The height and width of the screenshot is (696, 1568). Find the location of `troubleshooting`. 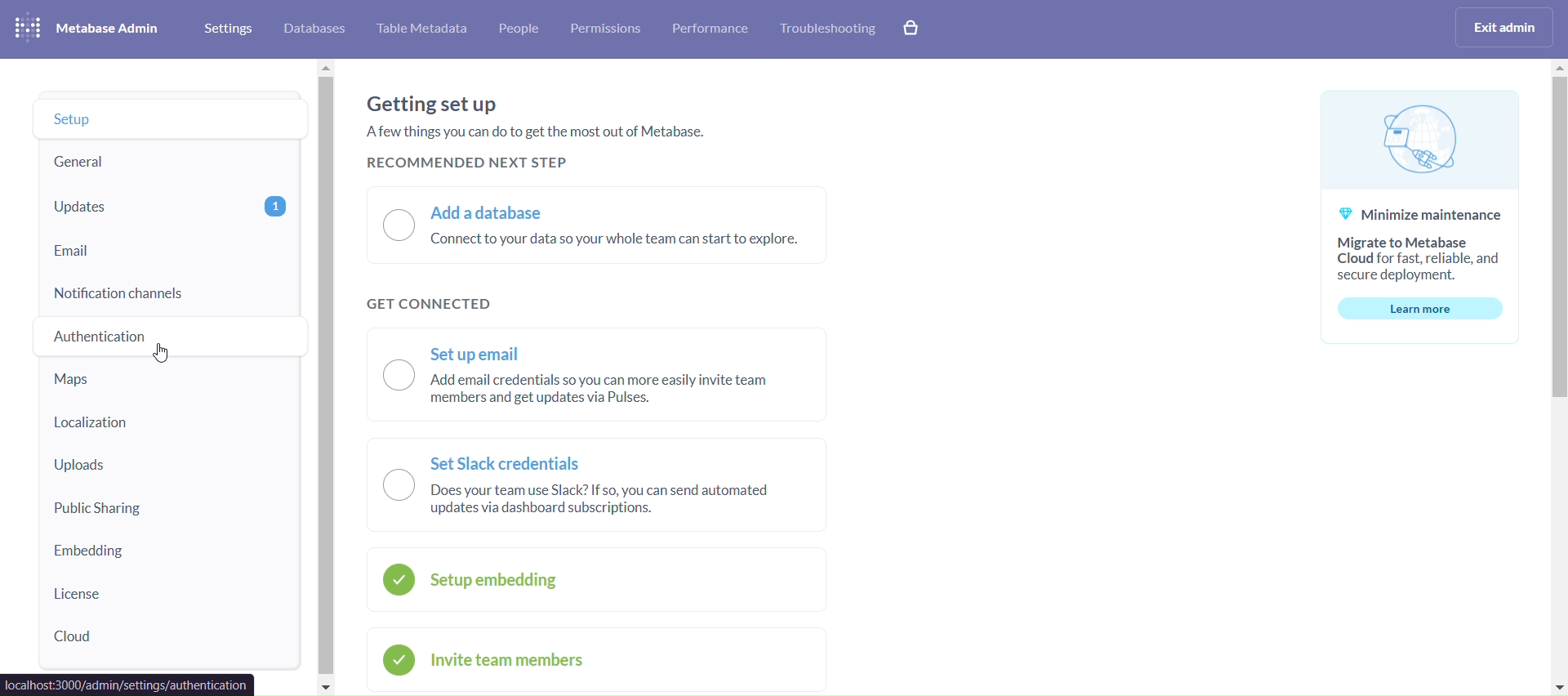

troubleshooting is located at coordinates (828, 30).